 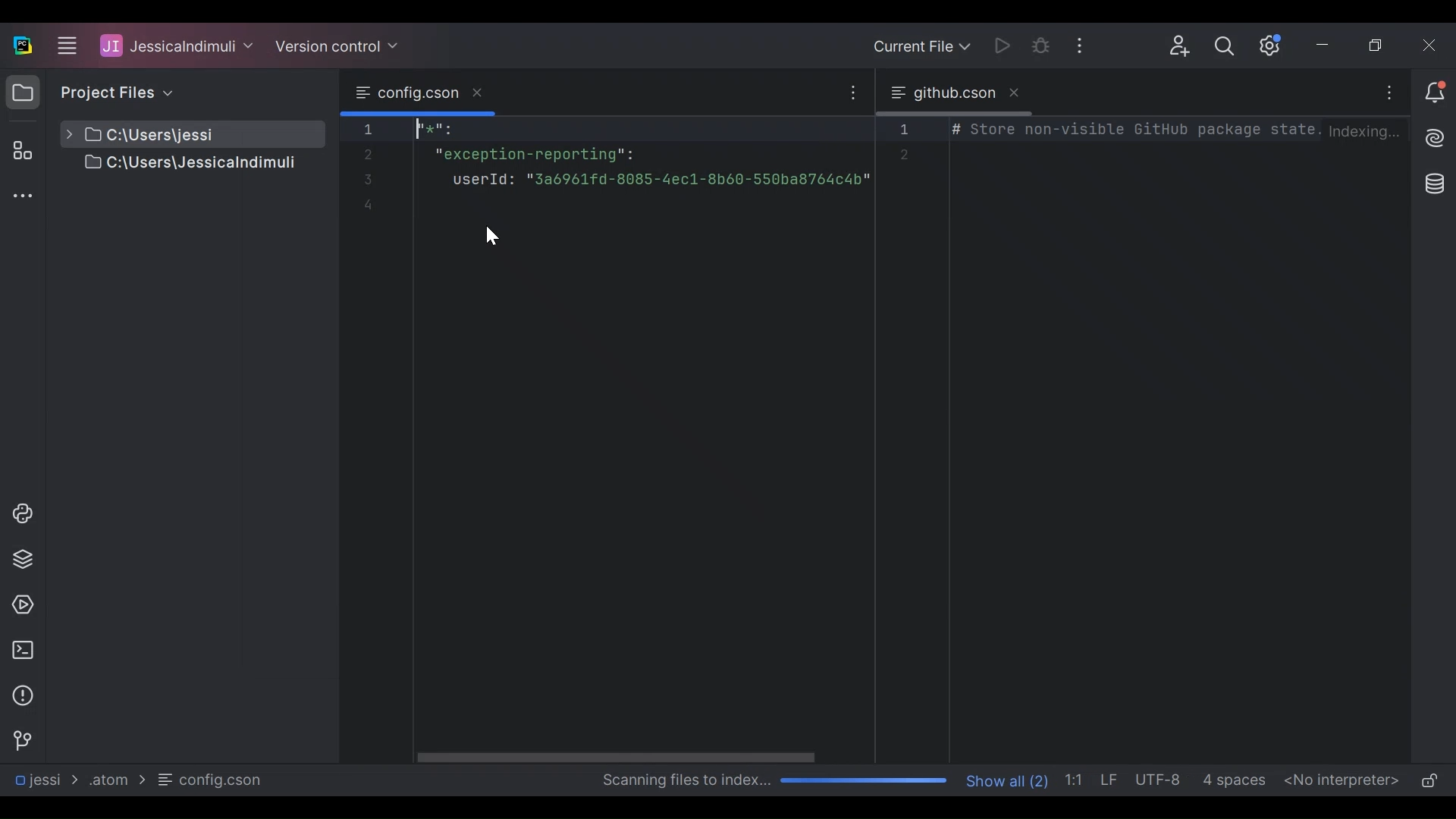 I want to click on Spaces, so click(x=1236, y=780).